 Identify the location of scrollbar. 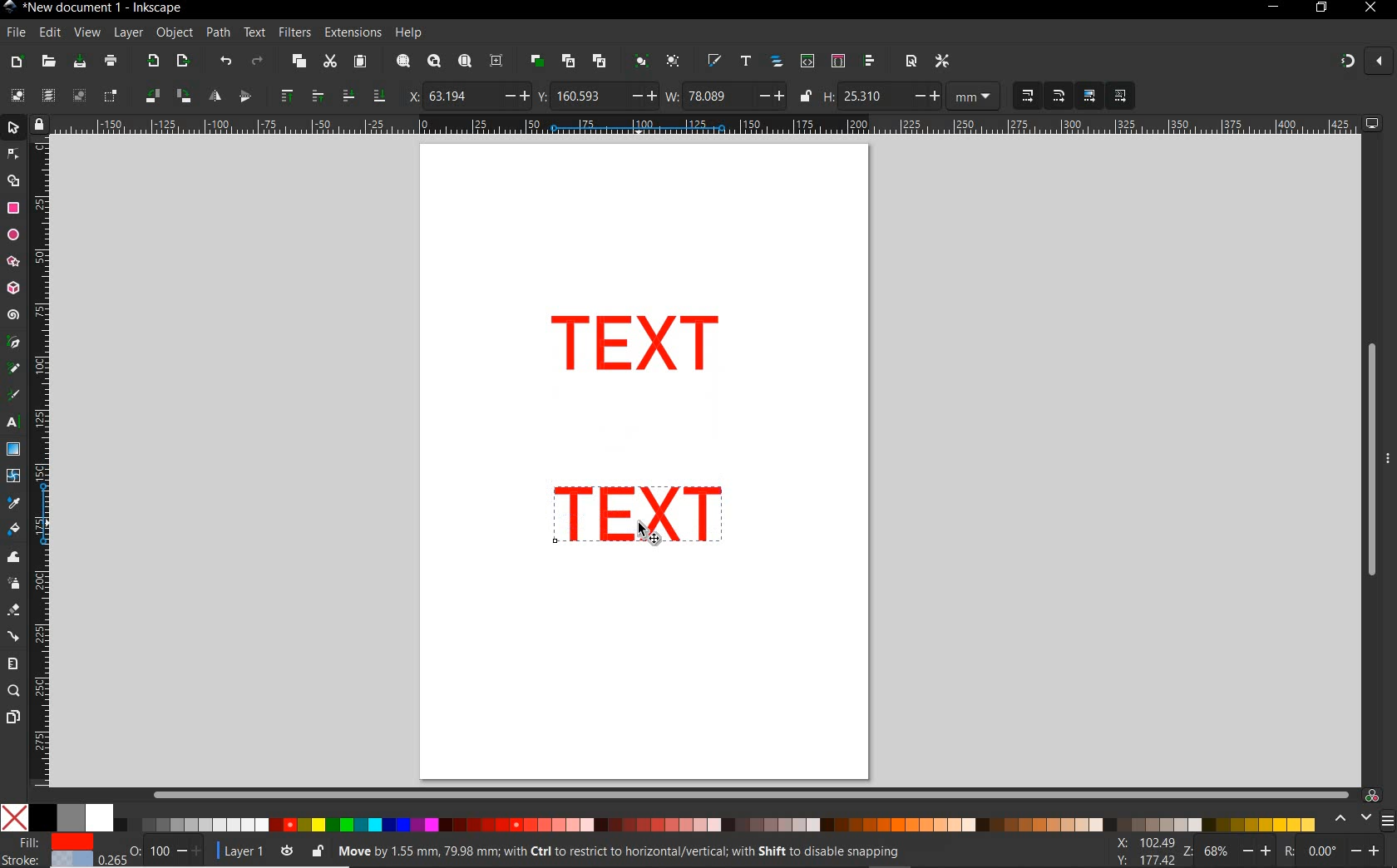
(751, 794).